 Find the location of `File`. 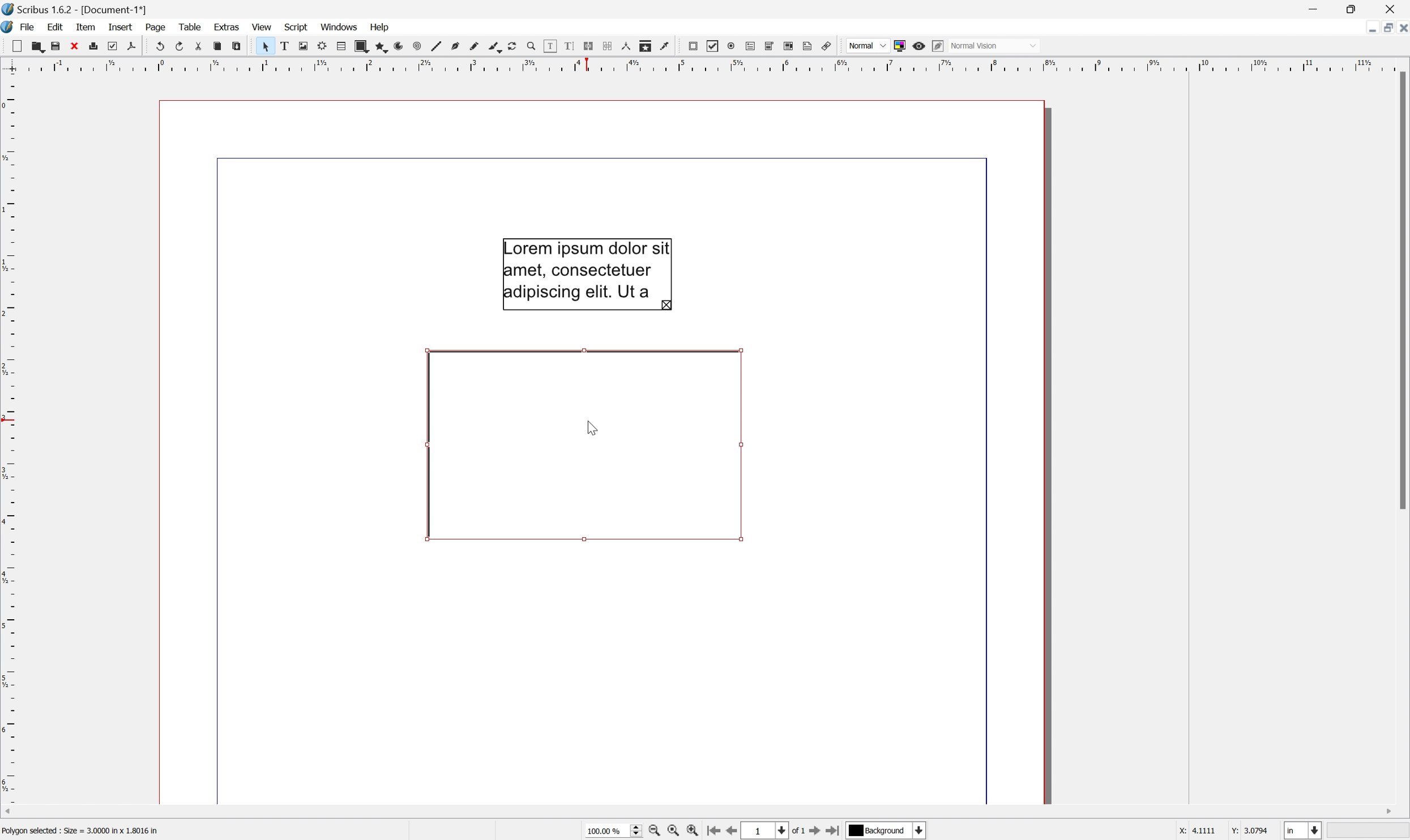

File is located at coordinates (25, 27).